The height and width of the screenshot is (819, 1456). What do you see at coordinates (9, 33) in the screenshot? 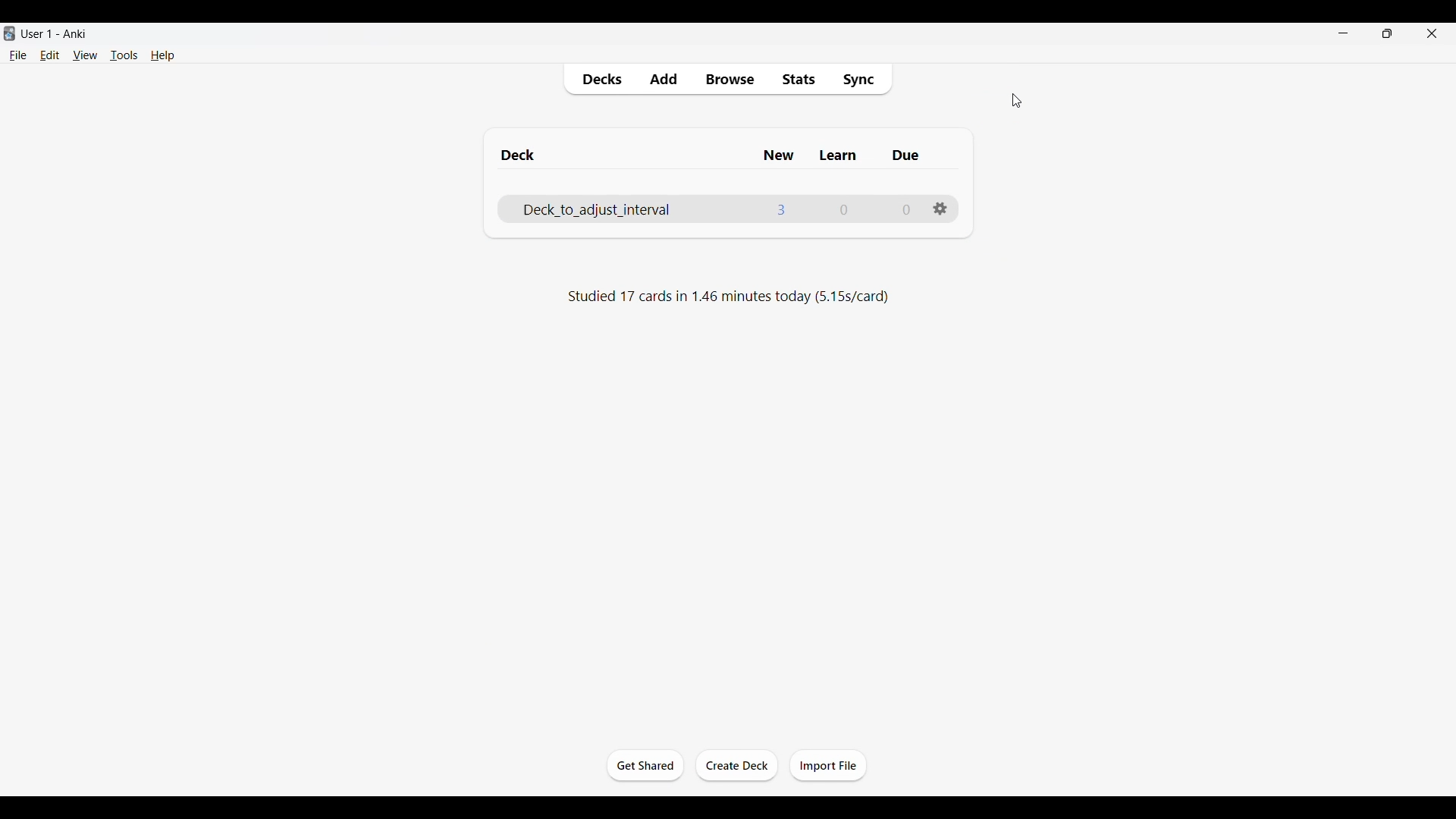
I see `Software logo` at bounding box center [9, 33].